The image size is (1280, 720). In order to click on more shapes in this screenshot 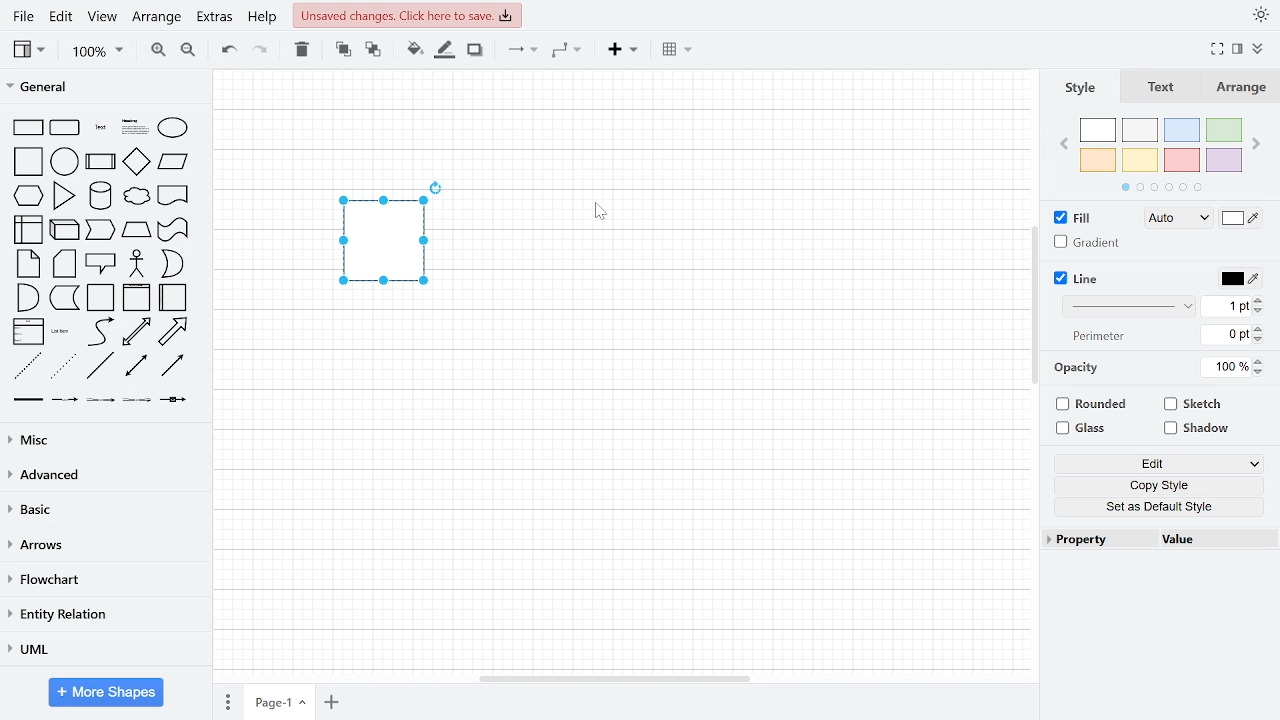, I will do `click(105, 692)`.